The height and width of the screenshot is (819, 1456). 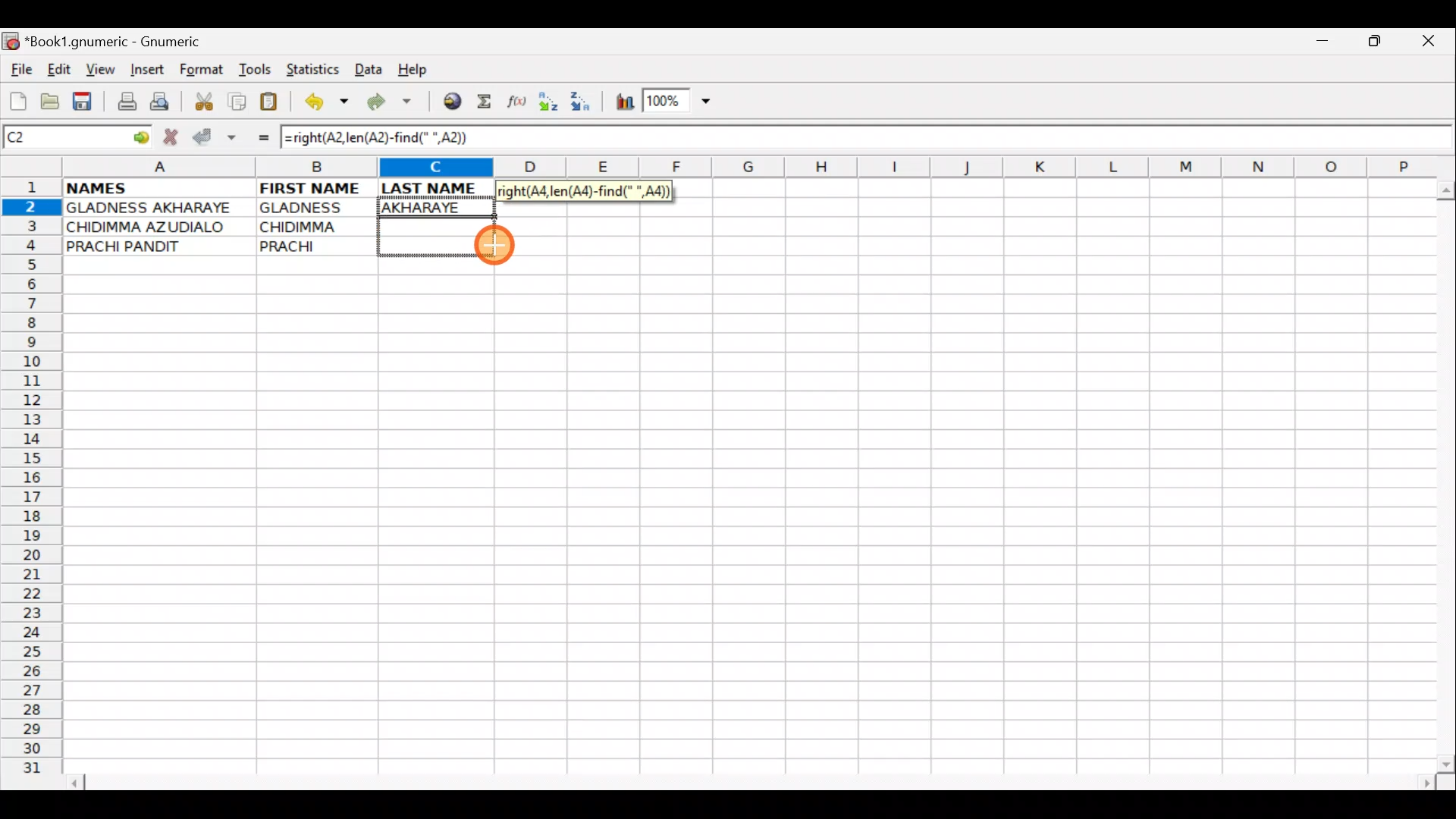 What do you see at coordinates (585, 105) in the screenshot?
I see `Sort Descending order` at bounding box center [585, 105].